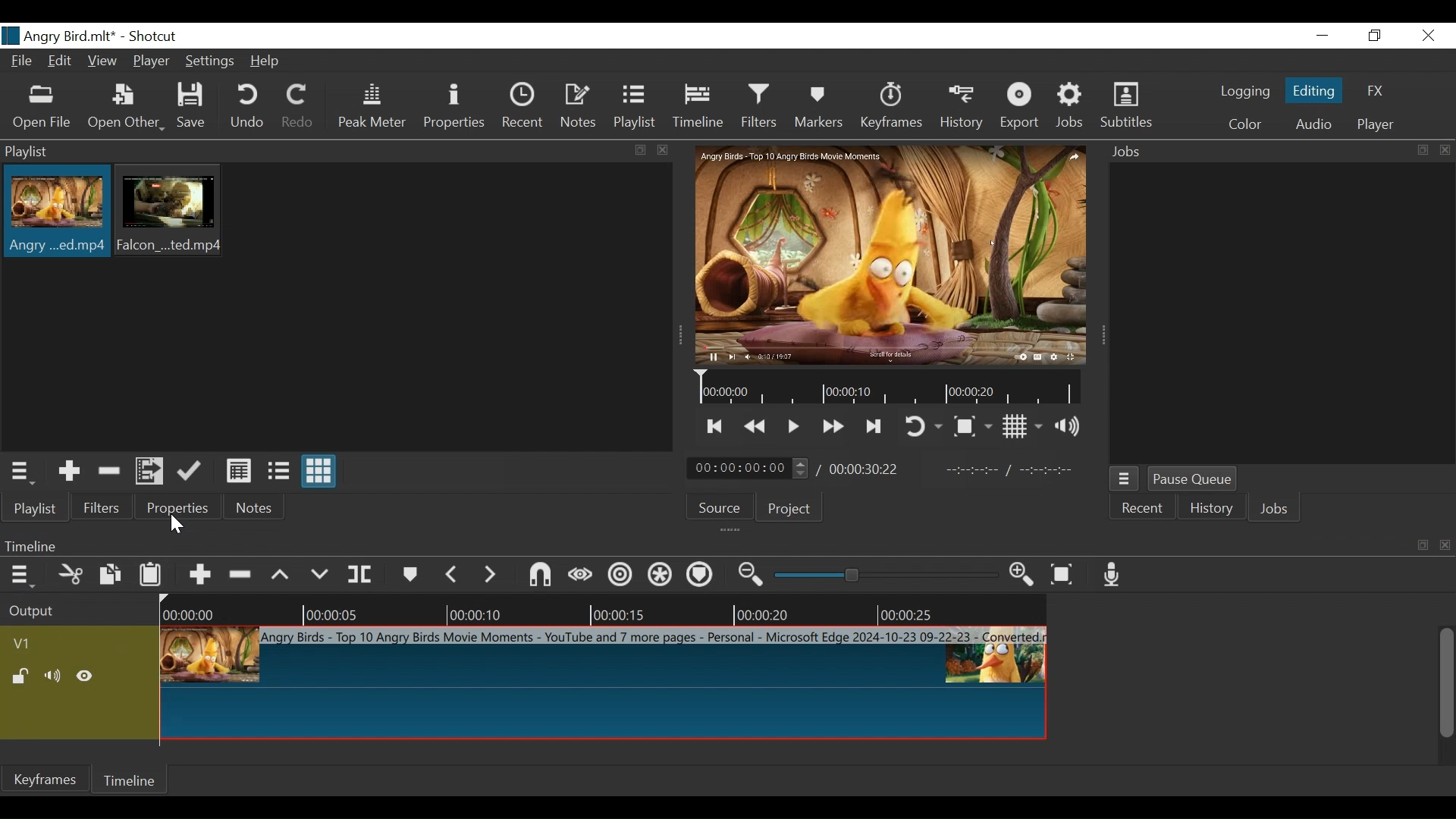 This screenshot has height=819, width=1456. What do you see at coordinates (24, 61) in the screenshot?
I see `File` at bounding box center [24, 61].